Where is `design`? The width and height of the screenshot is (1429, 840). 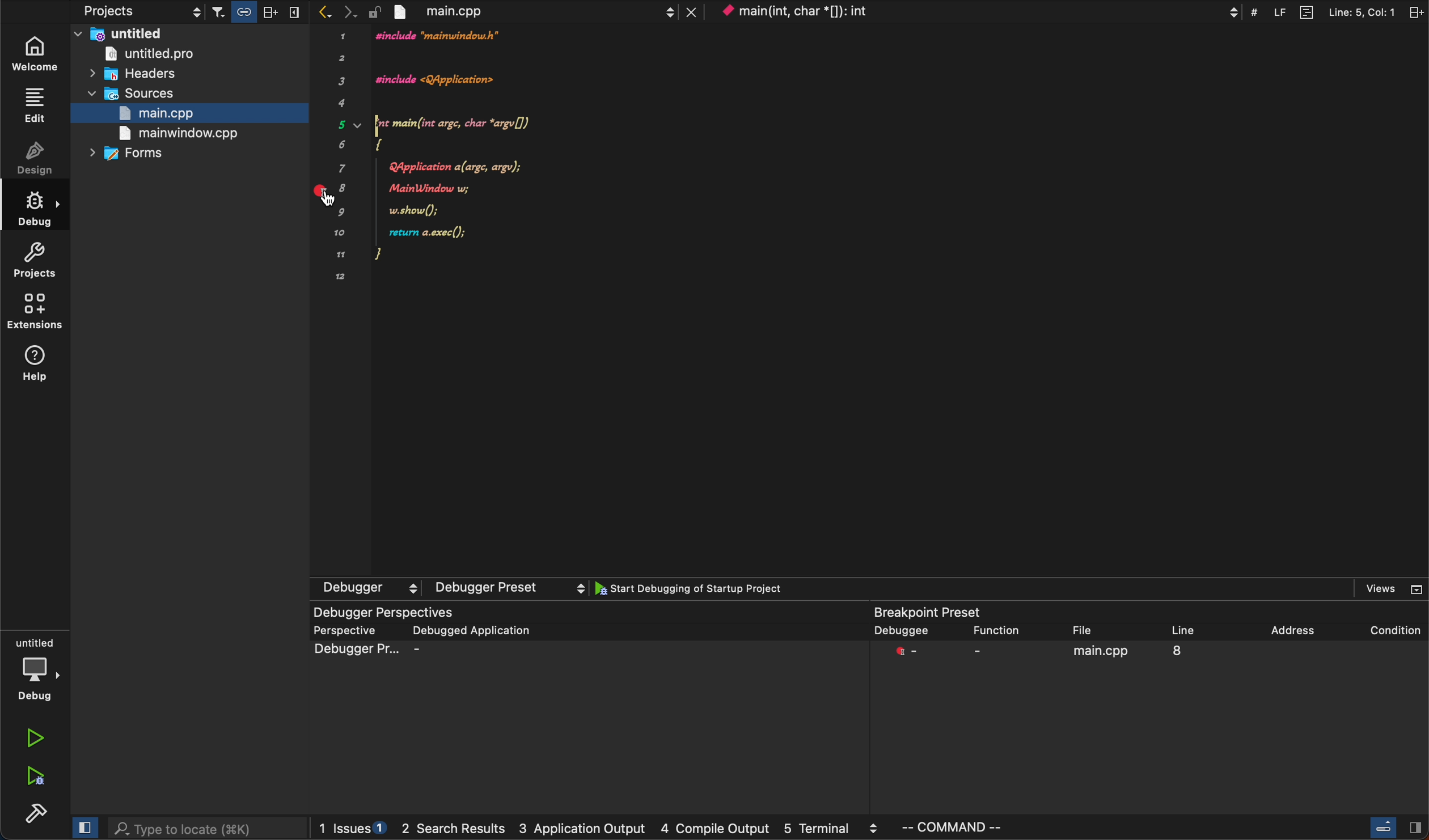
design is located at coordinates (36, 160).